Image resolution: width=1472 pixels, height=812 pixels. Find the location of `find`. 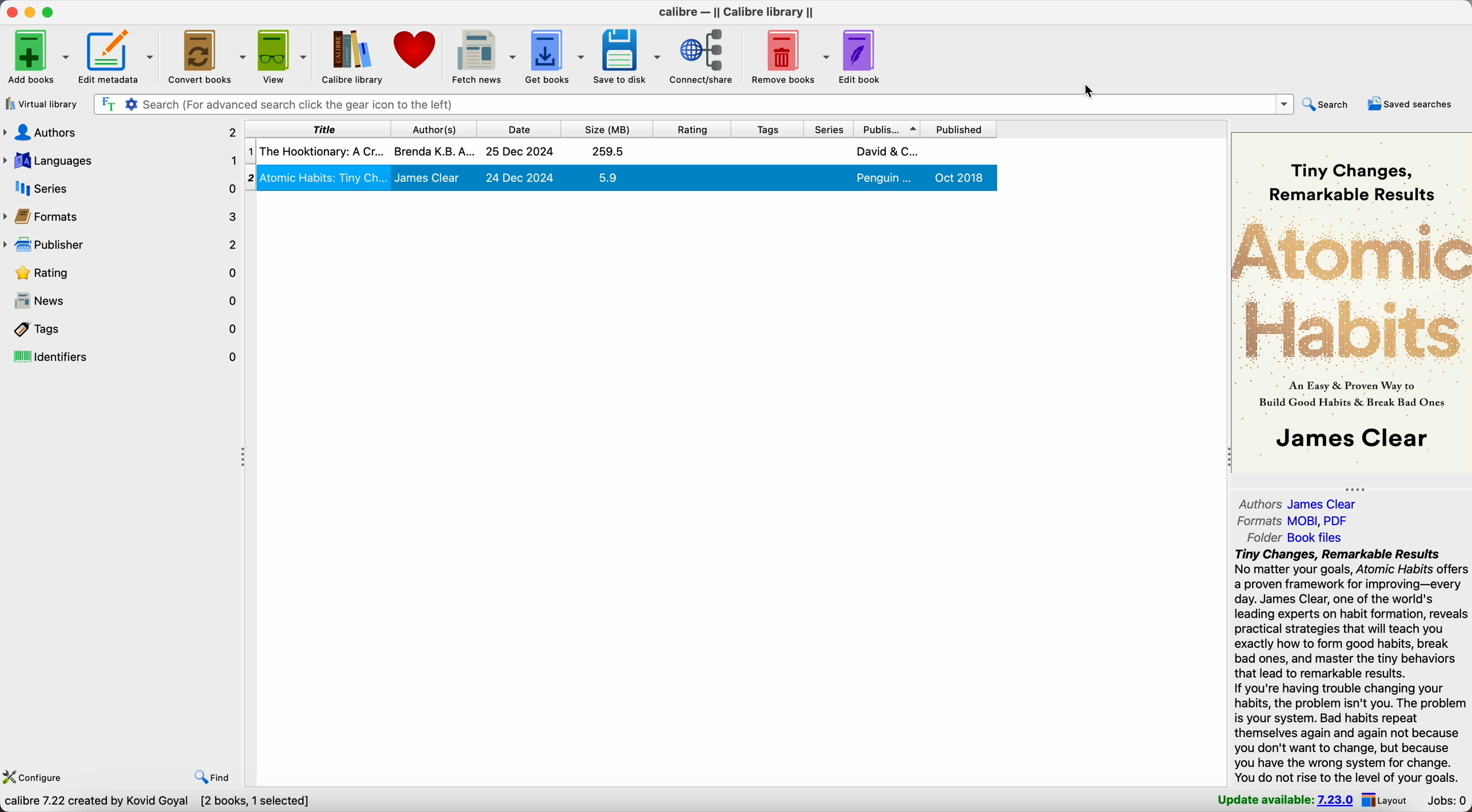

find is located at coordinates (211, 778).